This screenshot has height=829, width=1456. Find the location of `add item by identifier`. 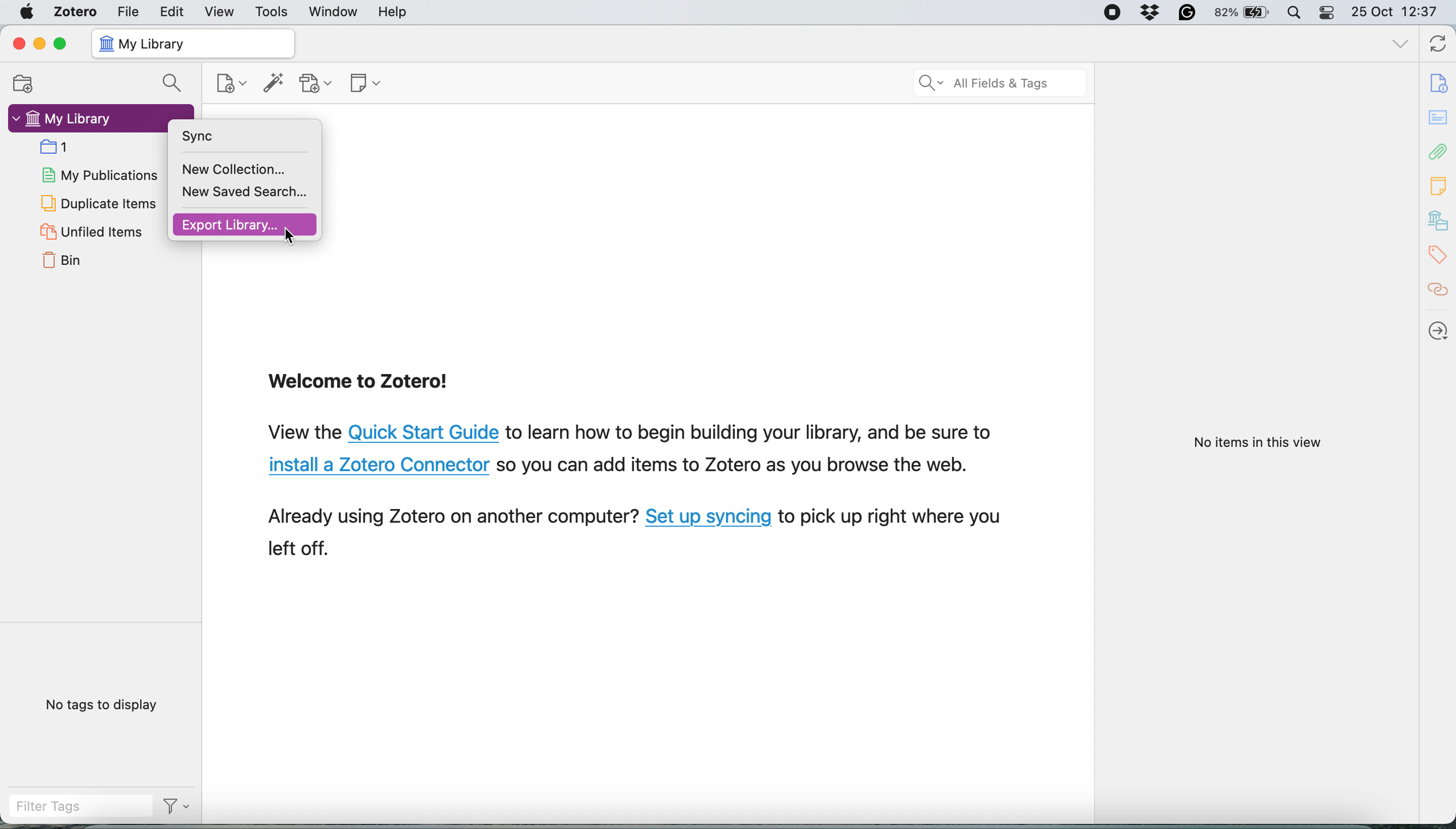

add item by identifier is located at coordinates (275, 84).